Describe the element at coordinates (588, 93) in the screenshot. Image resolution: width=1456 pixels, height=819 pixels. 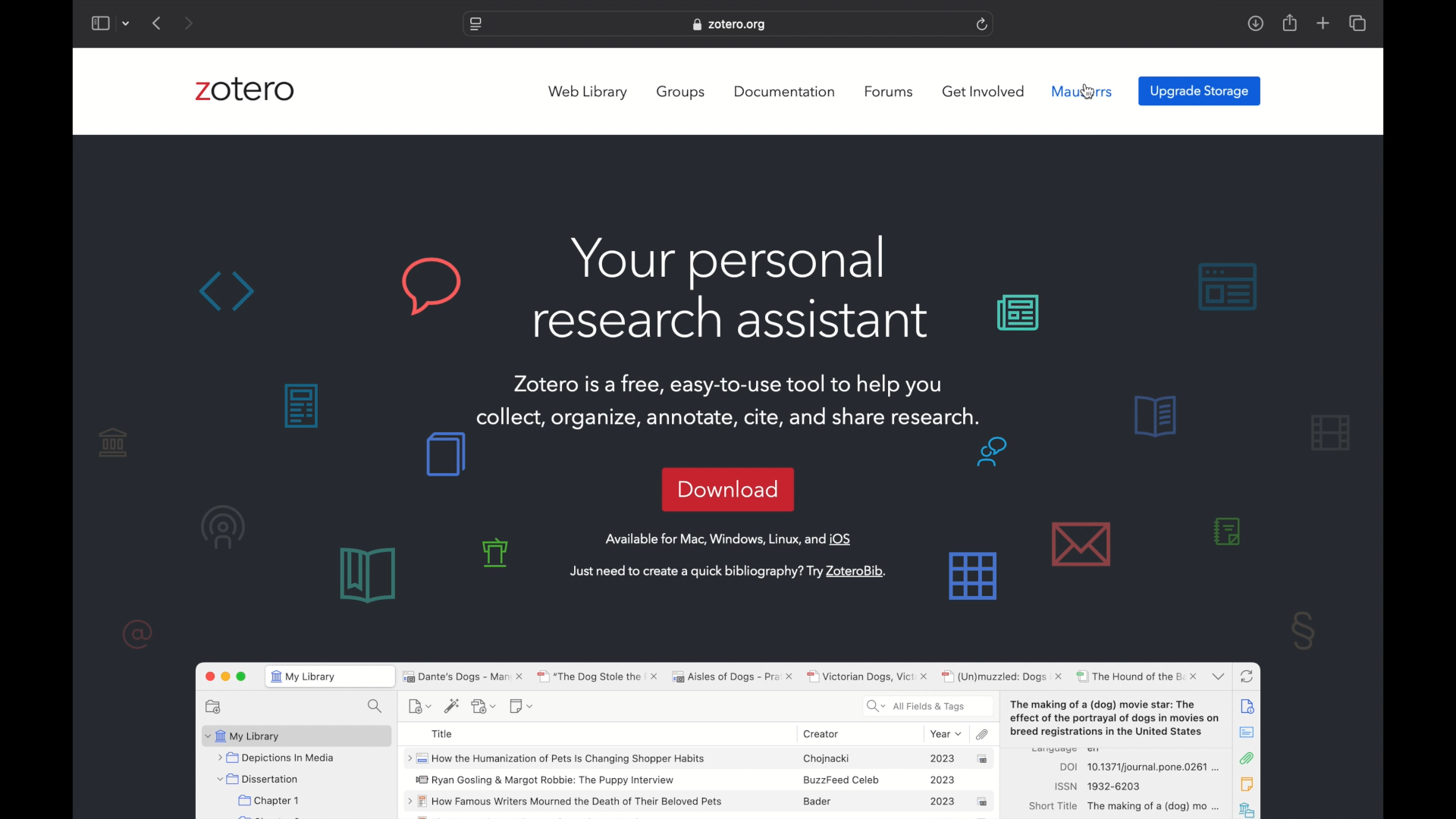
I see `web library` at that location.